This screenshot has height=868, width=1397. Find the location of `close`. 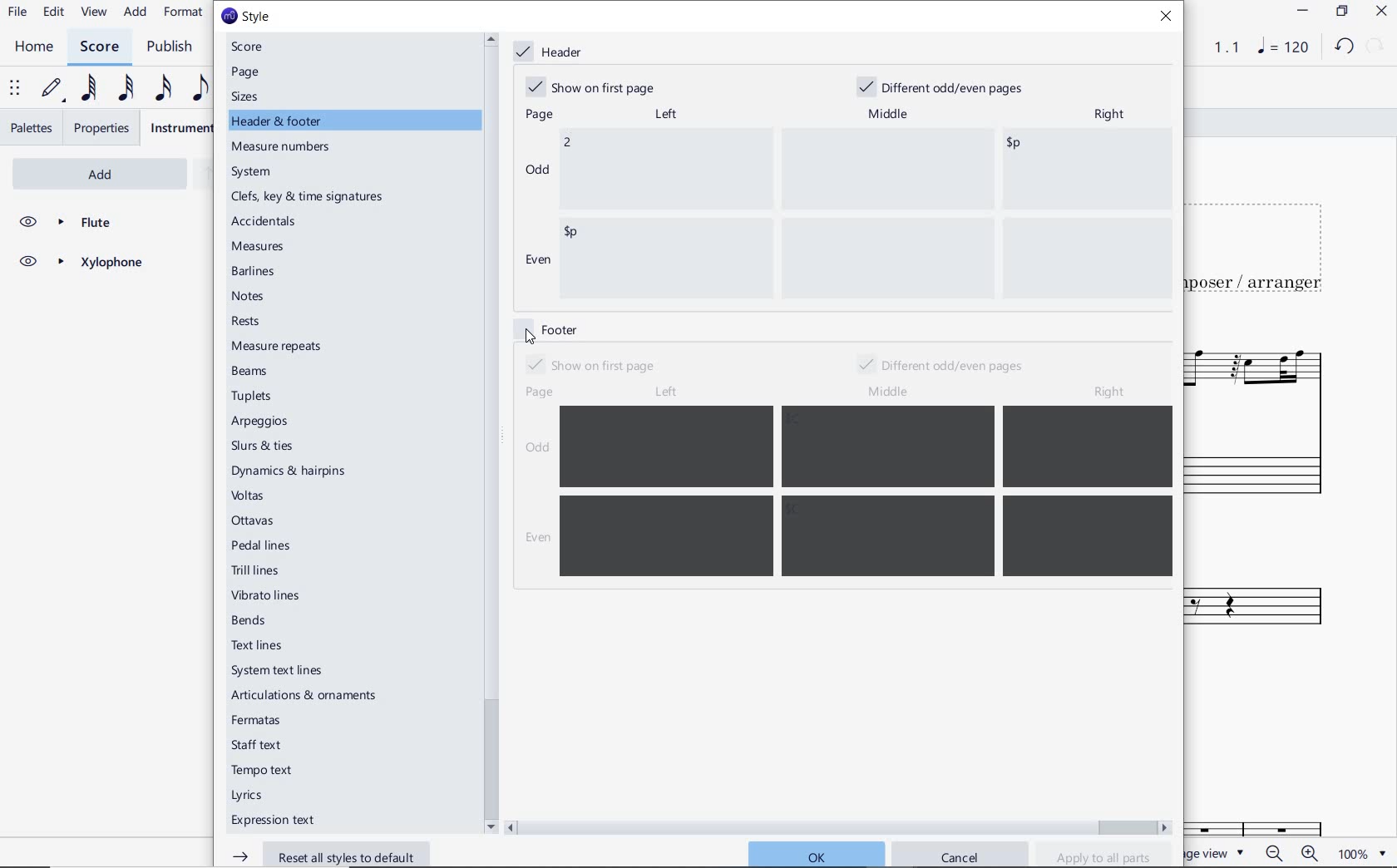

close is located at coordinates (1170, 18).